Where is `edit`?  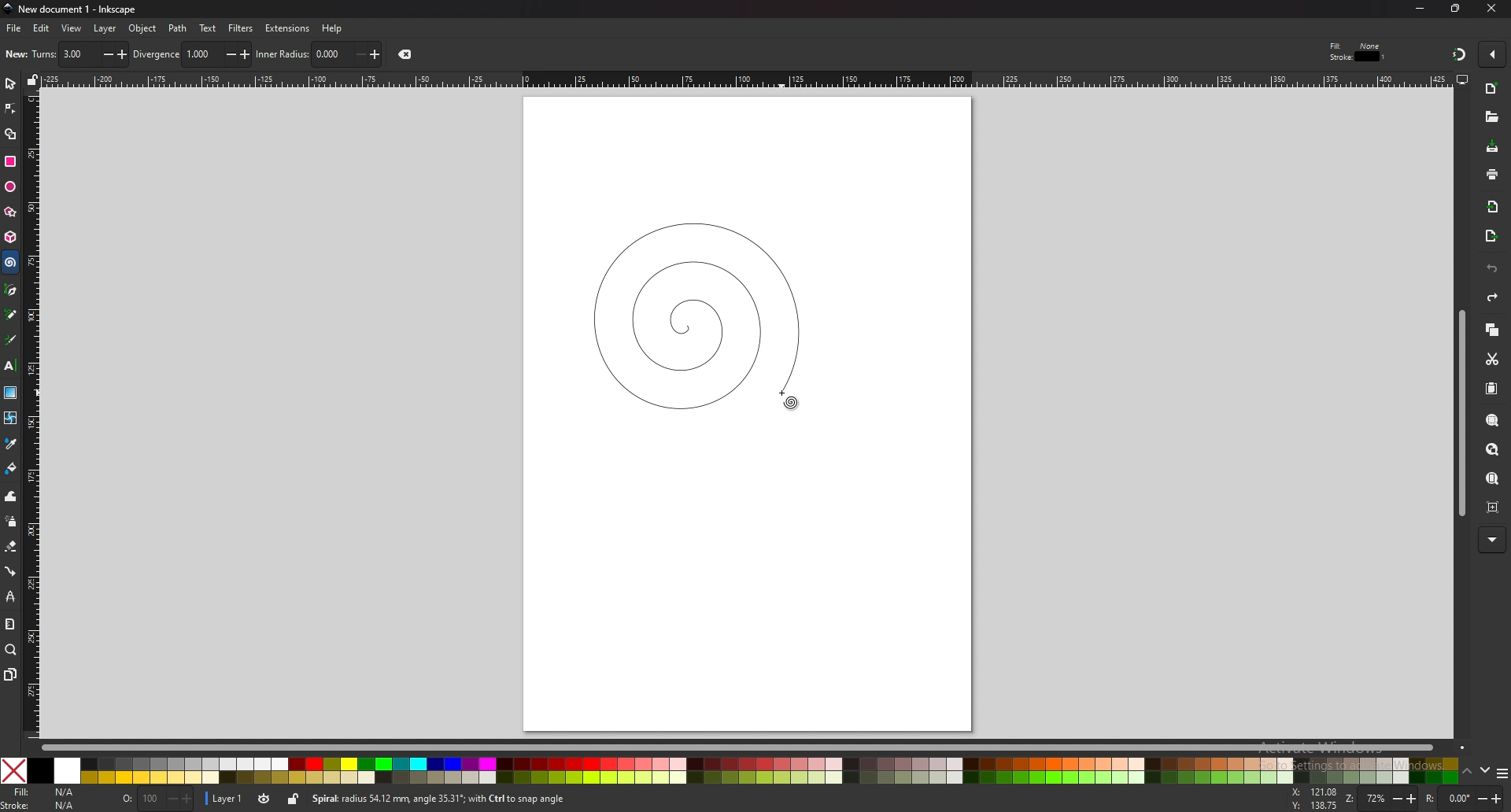 edit is located at coordinates (40, 28).